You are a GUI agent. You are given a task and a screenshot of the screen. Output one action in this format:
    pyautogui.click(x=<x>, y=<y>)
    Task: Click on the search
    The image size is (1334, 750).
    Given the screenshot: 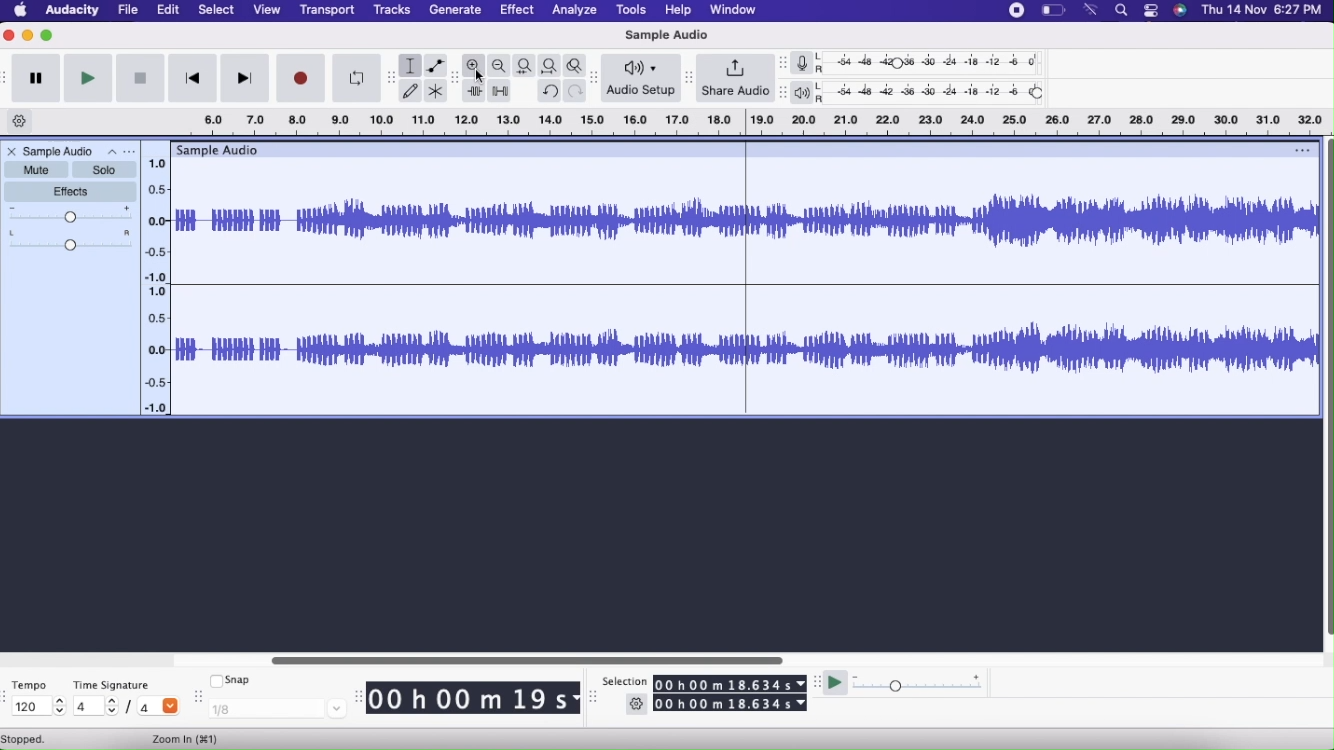 What is the action you would take?
    pyautogui.click(x=1120, y=11)
    